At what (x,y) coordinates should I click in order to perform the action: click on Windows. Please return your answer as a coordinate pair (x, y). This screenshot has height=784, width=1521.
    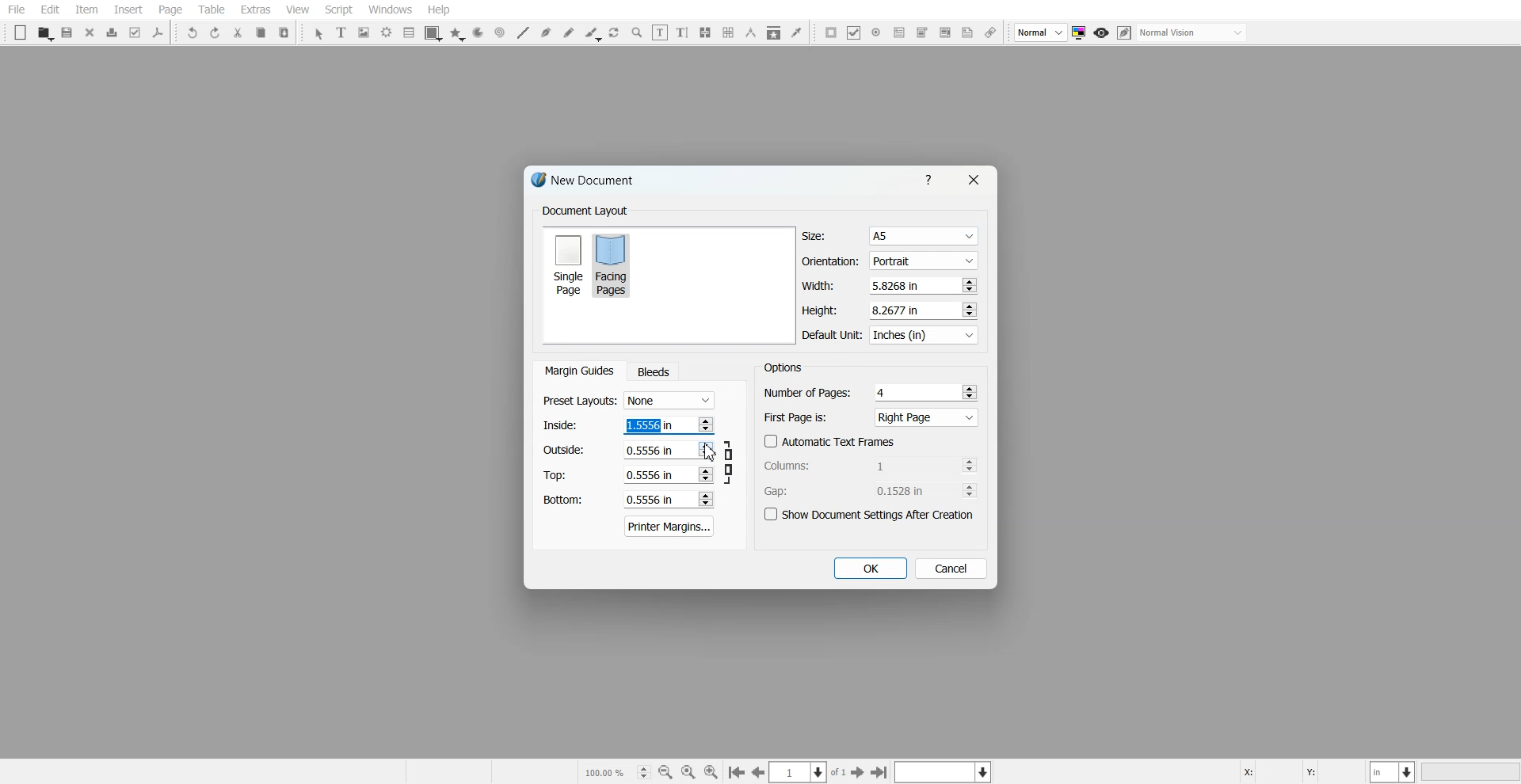
    Looking at the image, I should click on (391, 10).